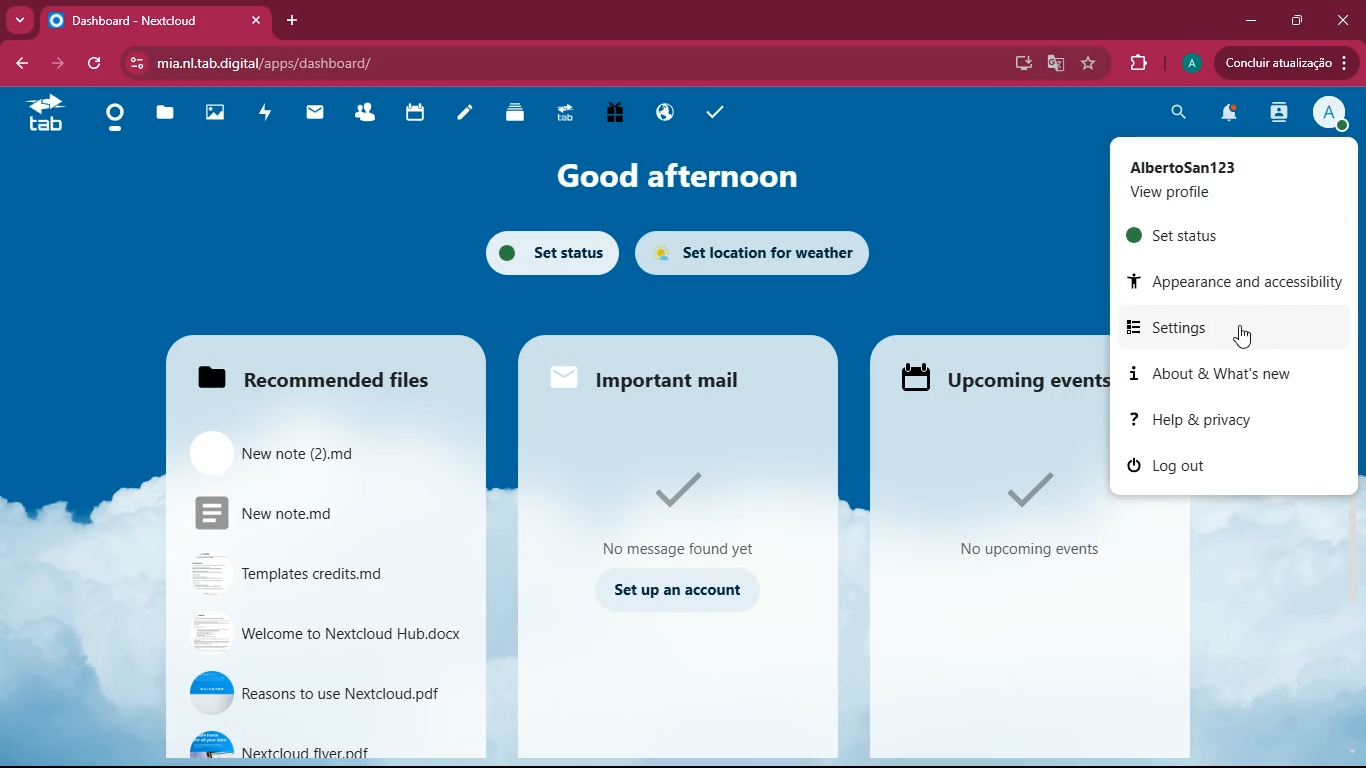 This screenshot has height=768, width=1366. Describe the element at coordinates (318, 513) in the screenshot. I see `file` at that location.